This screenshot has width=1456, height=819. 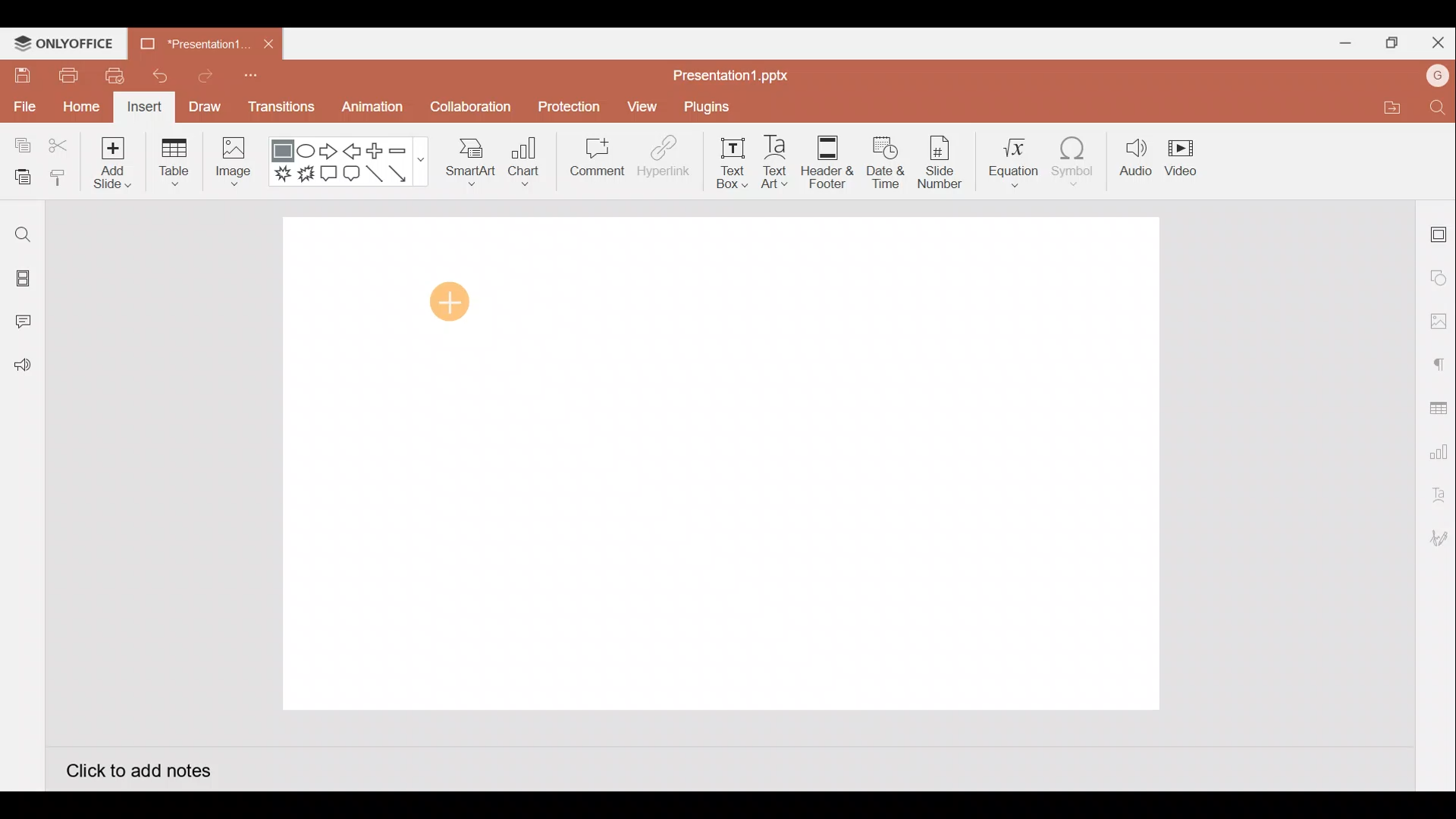 What do you see at coordinates (145, 108) in the screenshot?
I see `Insert` at bounding box center [145, 108].